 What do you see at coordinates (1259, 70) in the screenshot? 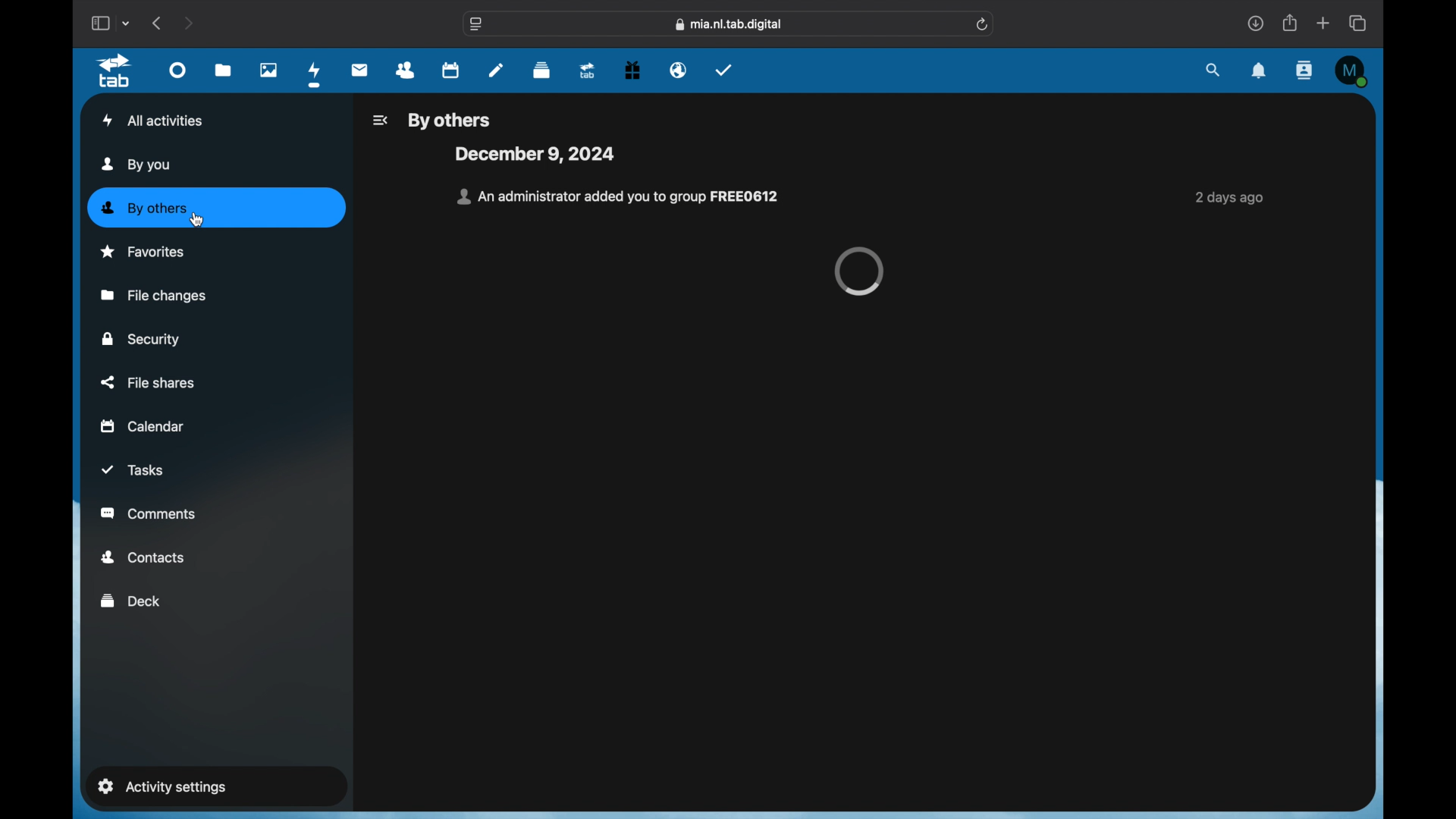
I see `notifications` at bounding box center [1259, 70].